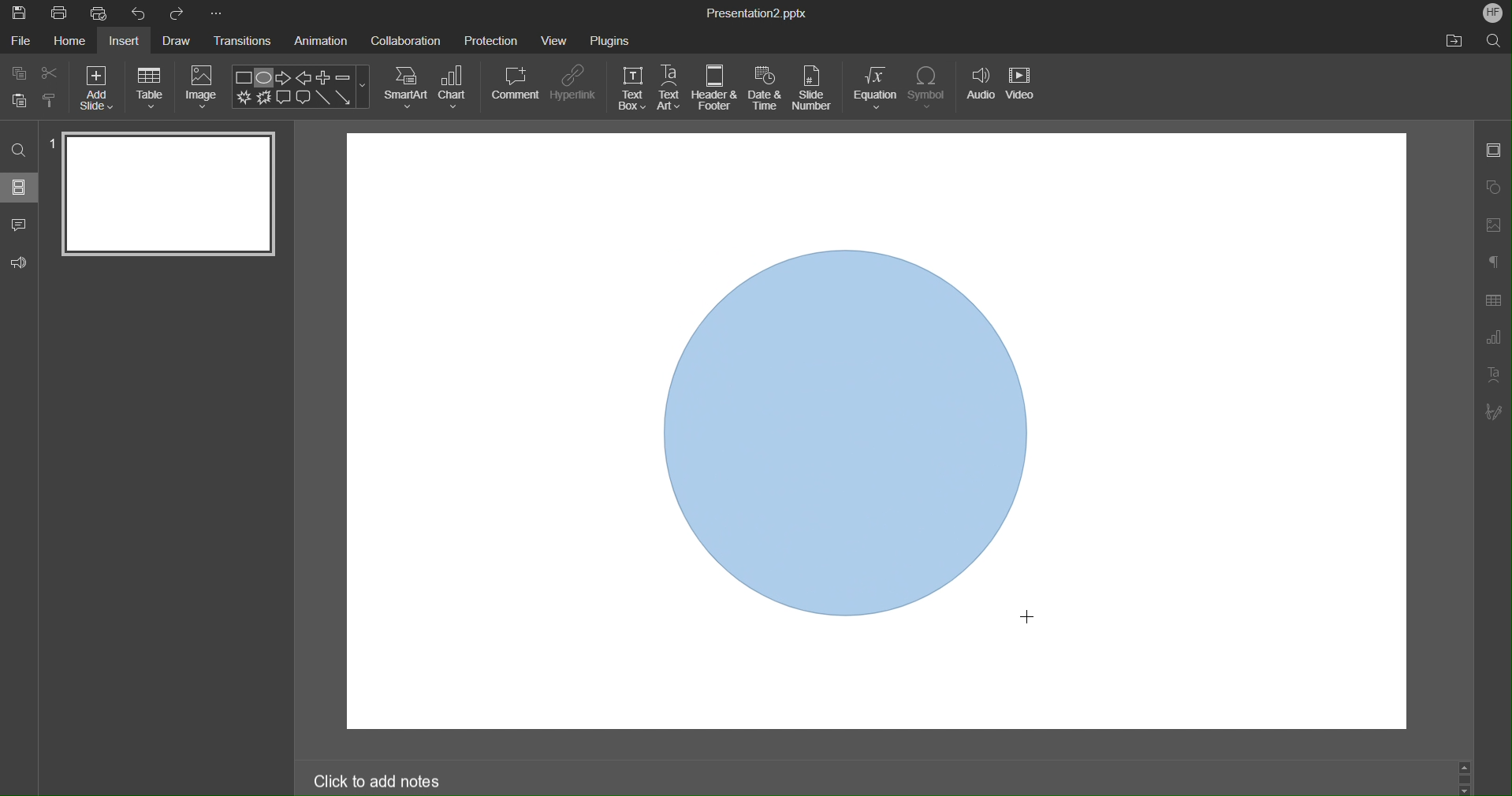  What do you see at coordinates (59, 14) in the screenshot?
I see `Print` at bounding box center [59, 14].